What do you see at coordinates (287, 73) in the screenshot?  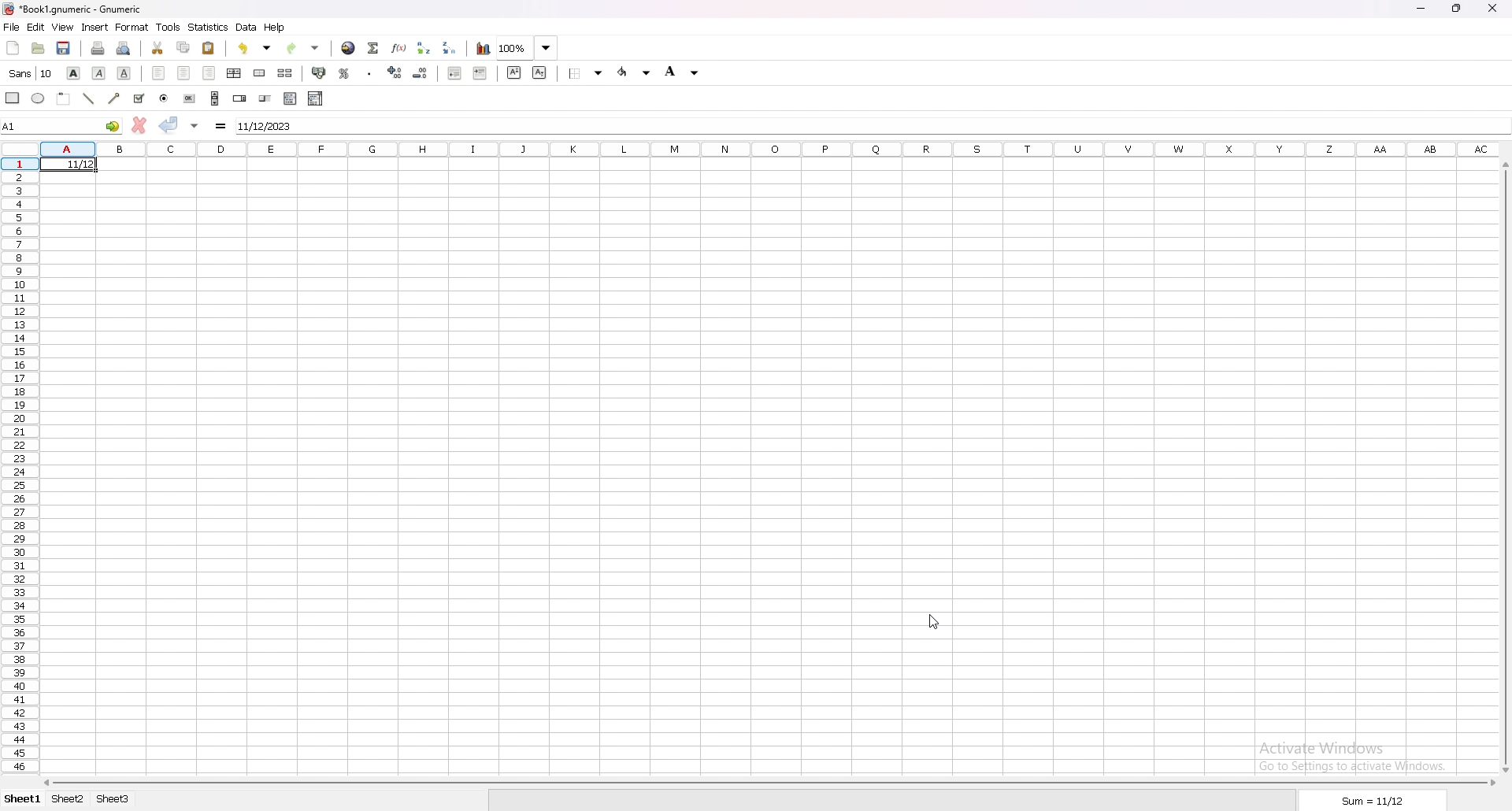 I see `split merged cells` at bounding box center [287, 73].